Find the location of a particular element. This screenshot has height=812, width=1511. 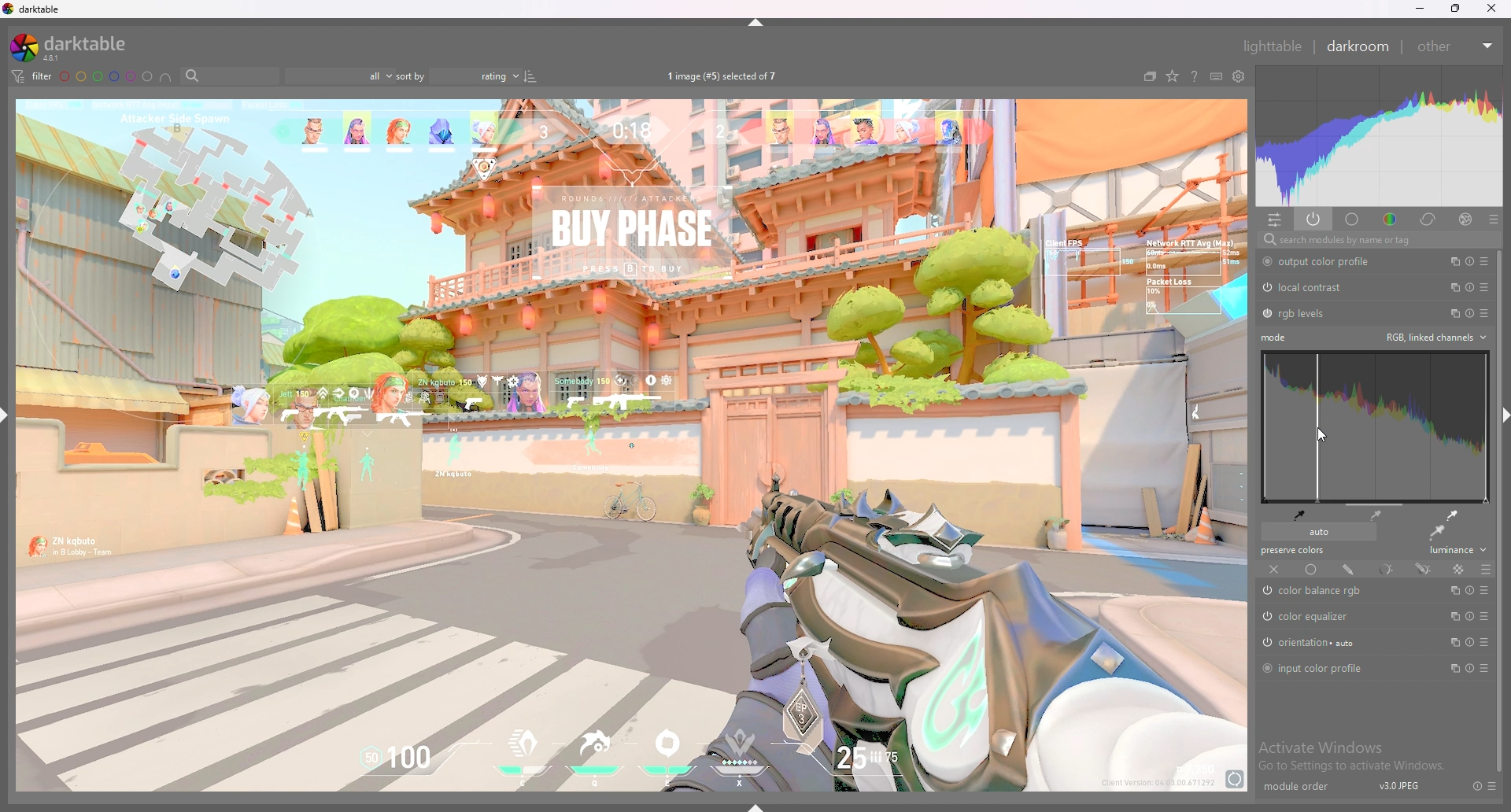

presets is located at coordinates (1484, 313).